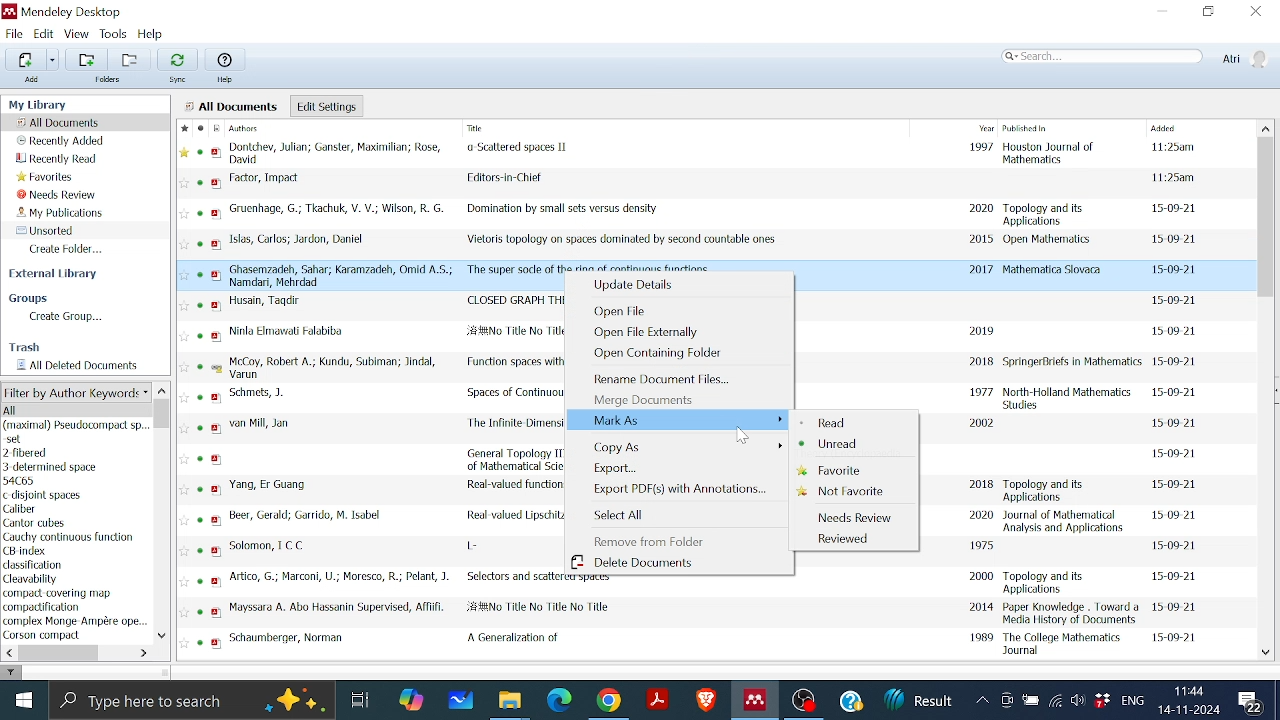  Describe the element at coordinates (1253, 11) in the screenshot. I see `Close window` at that location.